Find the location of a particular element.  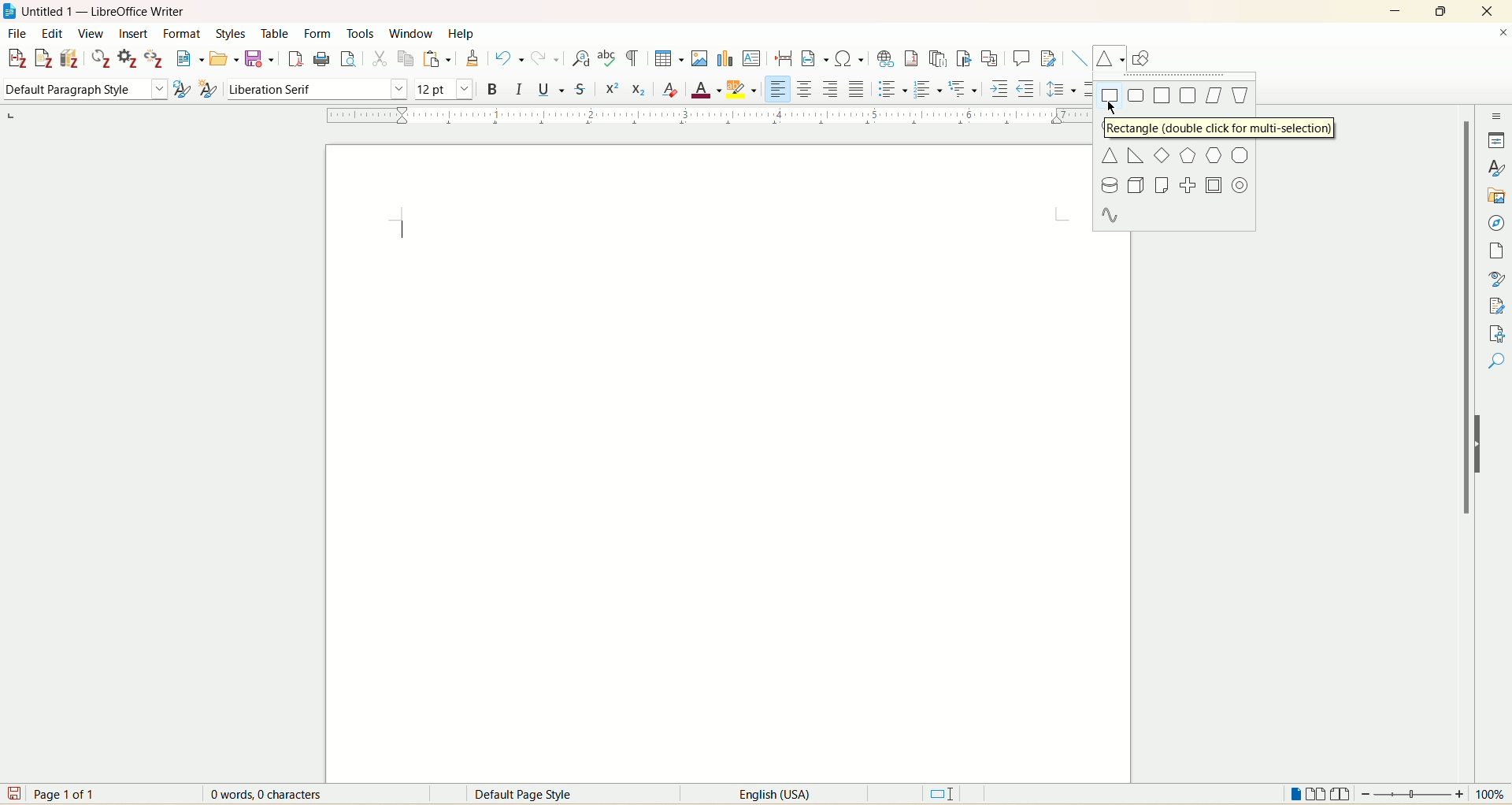

basic shapes is located at coordinates (1107, 59).